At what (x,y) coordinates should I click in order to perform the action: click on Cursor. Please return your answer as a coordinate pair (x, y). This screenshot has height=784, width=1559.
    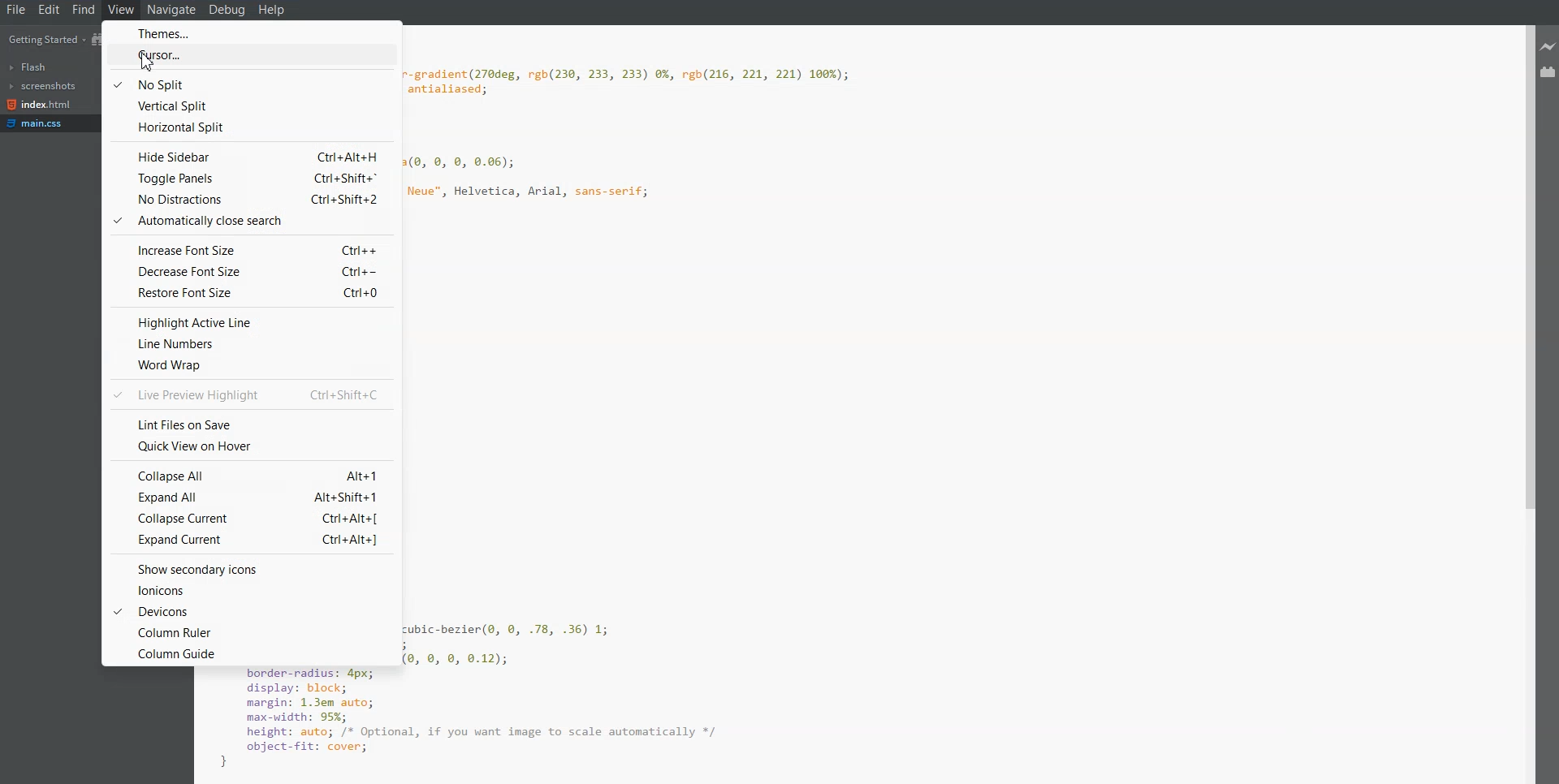
    Looking at the image, I should click on (249, 56).